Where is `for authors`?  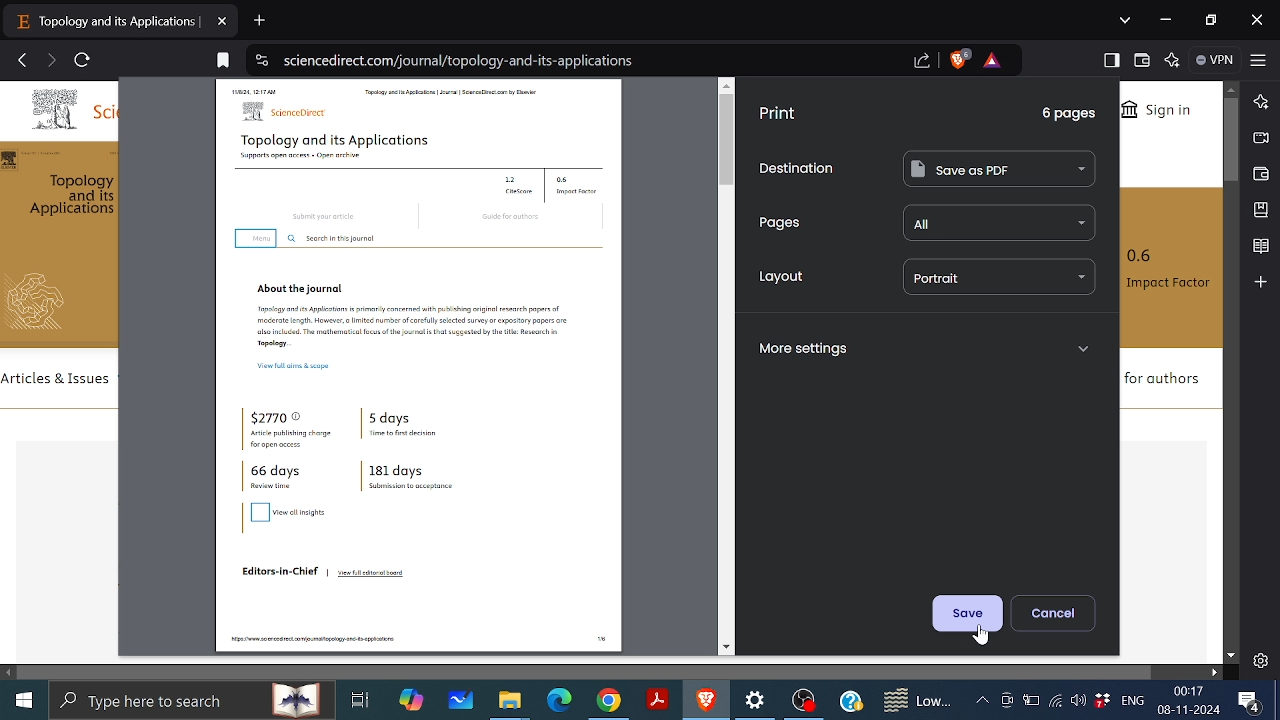 for authors is located at coordinates (1166, 380).